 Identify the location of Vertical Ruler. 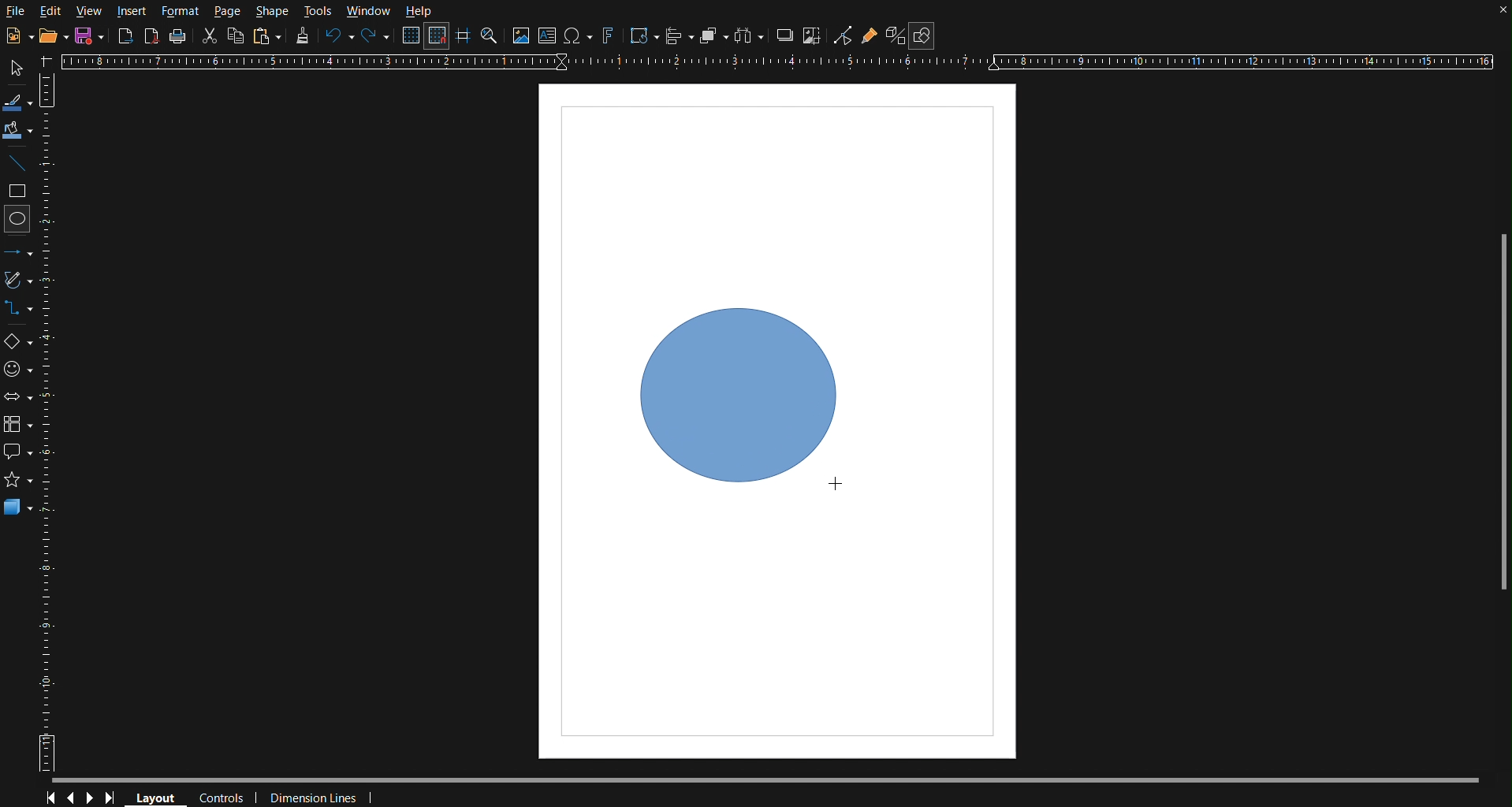
(52, 425).